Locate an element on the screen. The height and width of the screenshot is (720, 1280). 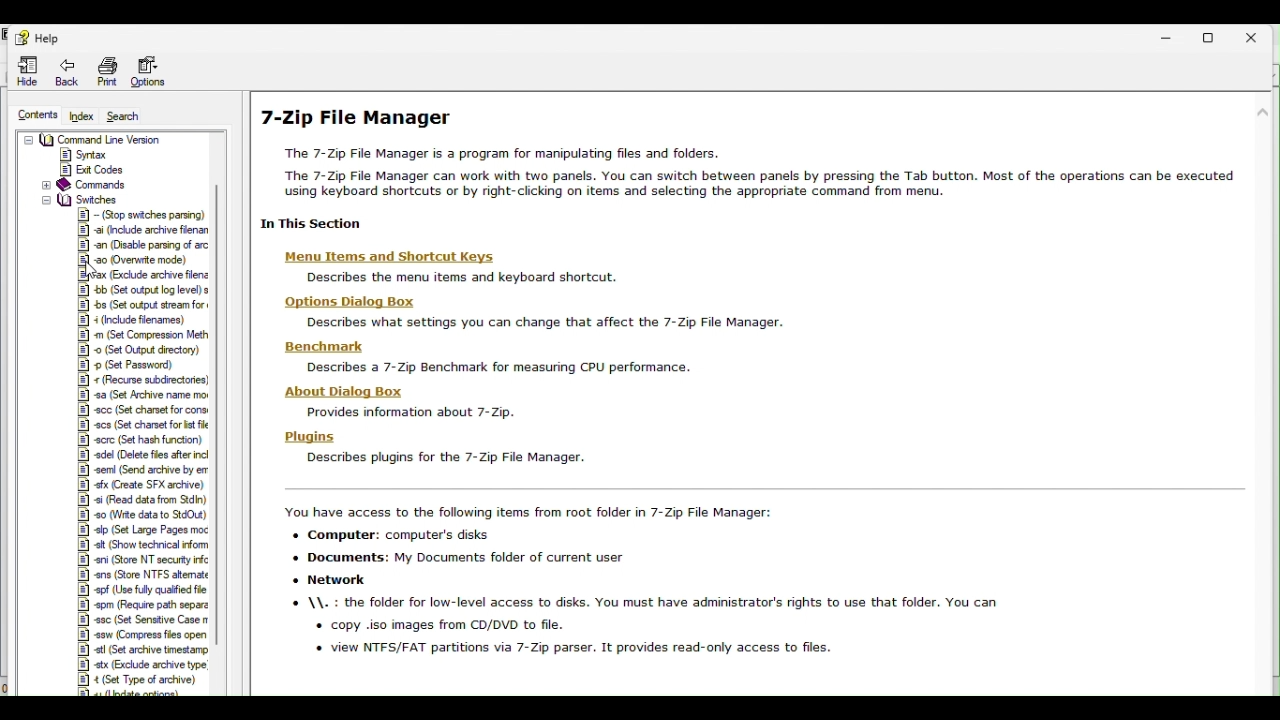
|&] « (Recurse subdirectories] is located at coordinates (142, 380).